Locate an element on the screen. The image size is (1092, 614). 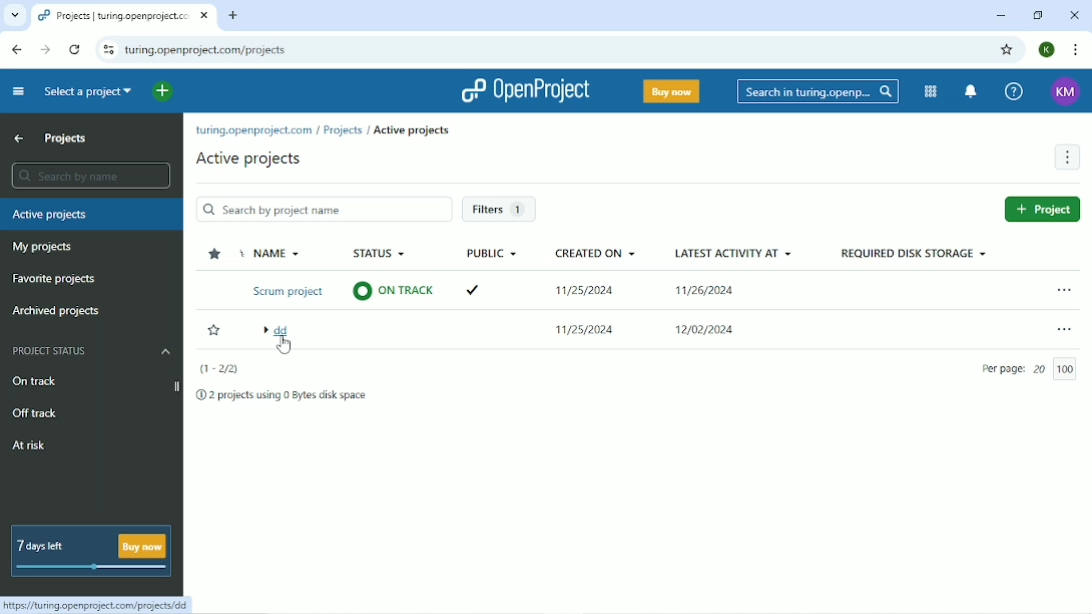
Current tab is located at coordinates (124, 15).